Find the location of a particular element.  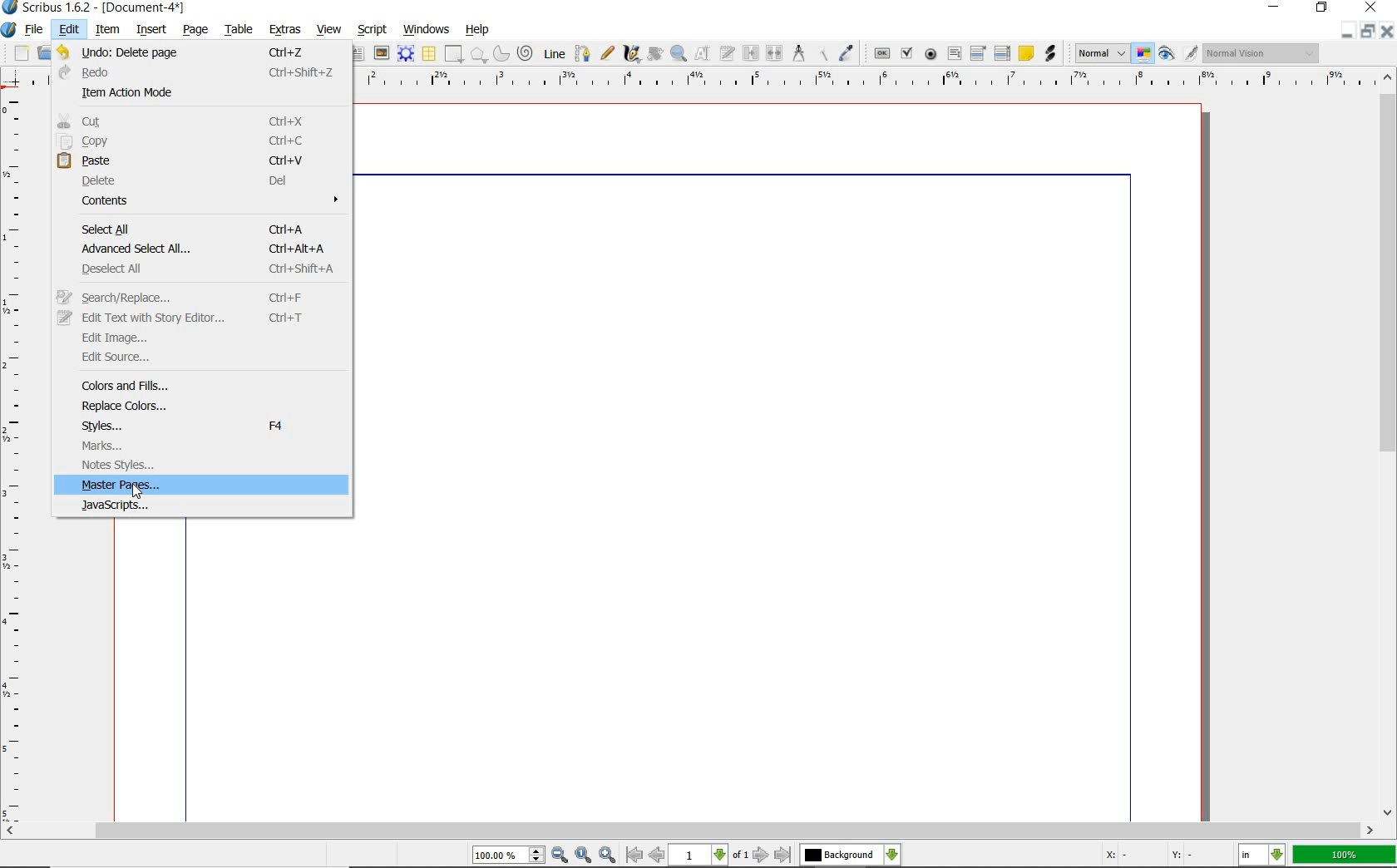

Normal is located at coordinates (1100, 53).